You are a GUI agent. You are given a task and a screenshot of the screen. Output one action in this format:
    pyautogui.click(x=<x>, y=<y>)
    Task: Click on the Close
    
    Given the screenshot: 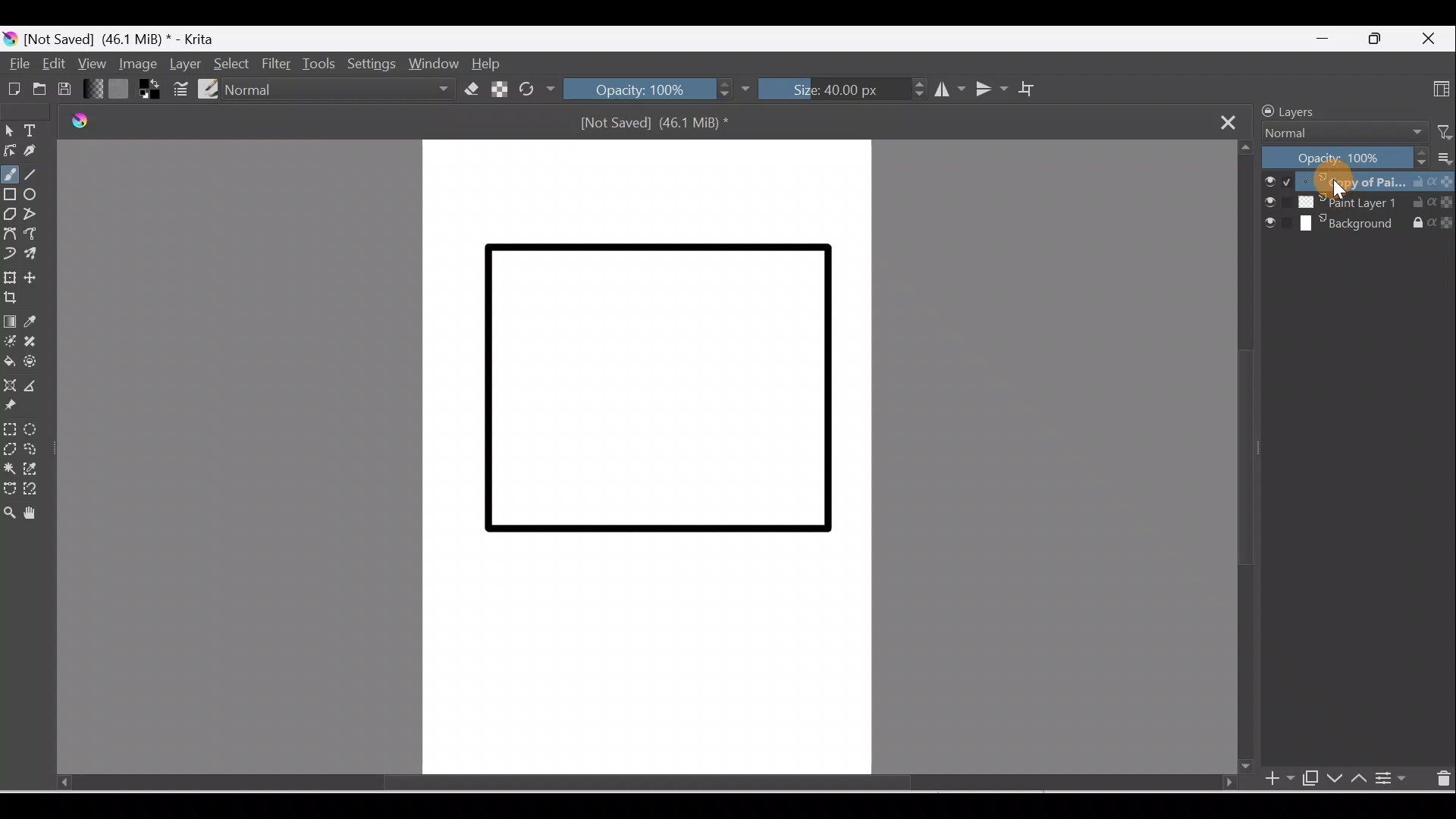 What is the action you would take?
    pyautogui.click(x=1431, y=36)
    